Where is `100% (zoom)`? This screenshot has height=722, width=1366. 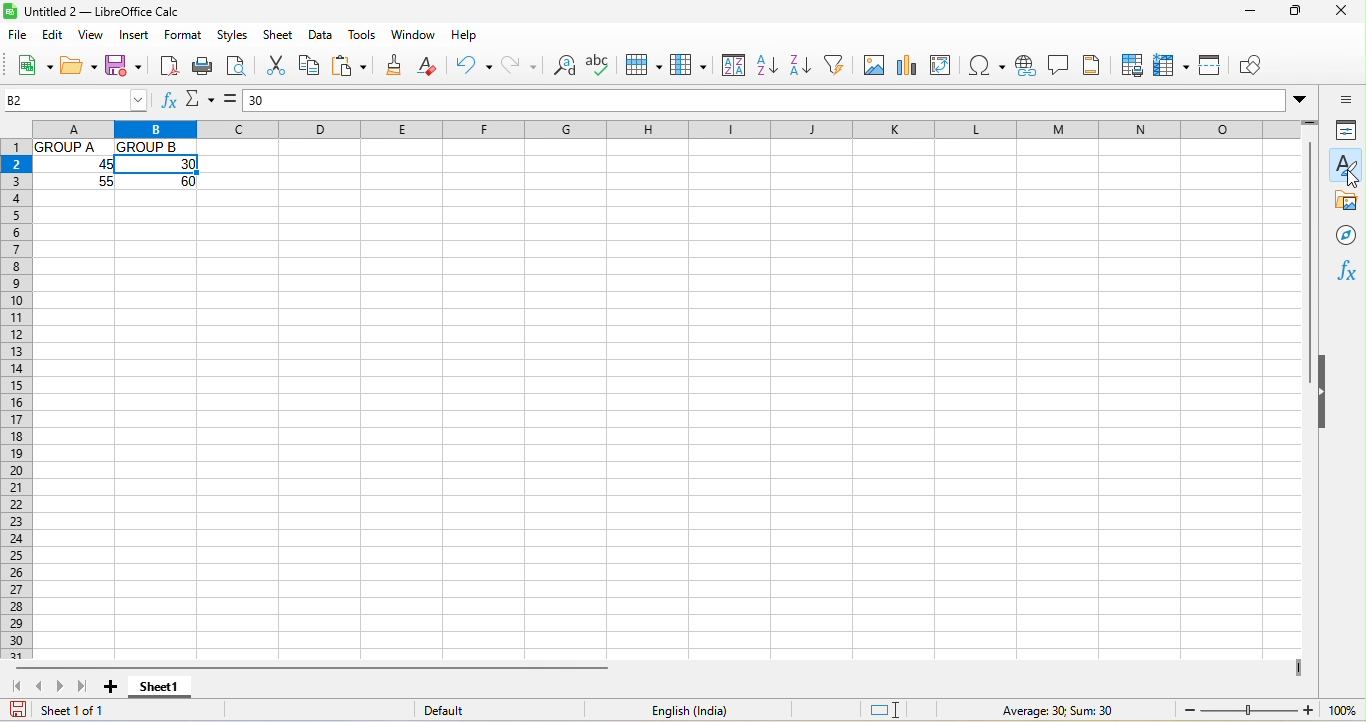 100% (zoom) is located at coordinates (1342, 711).